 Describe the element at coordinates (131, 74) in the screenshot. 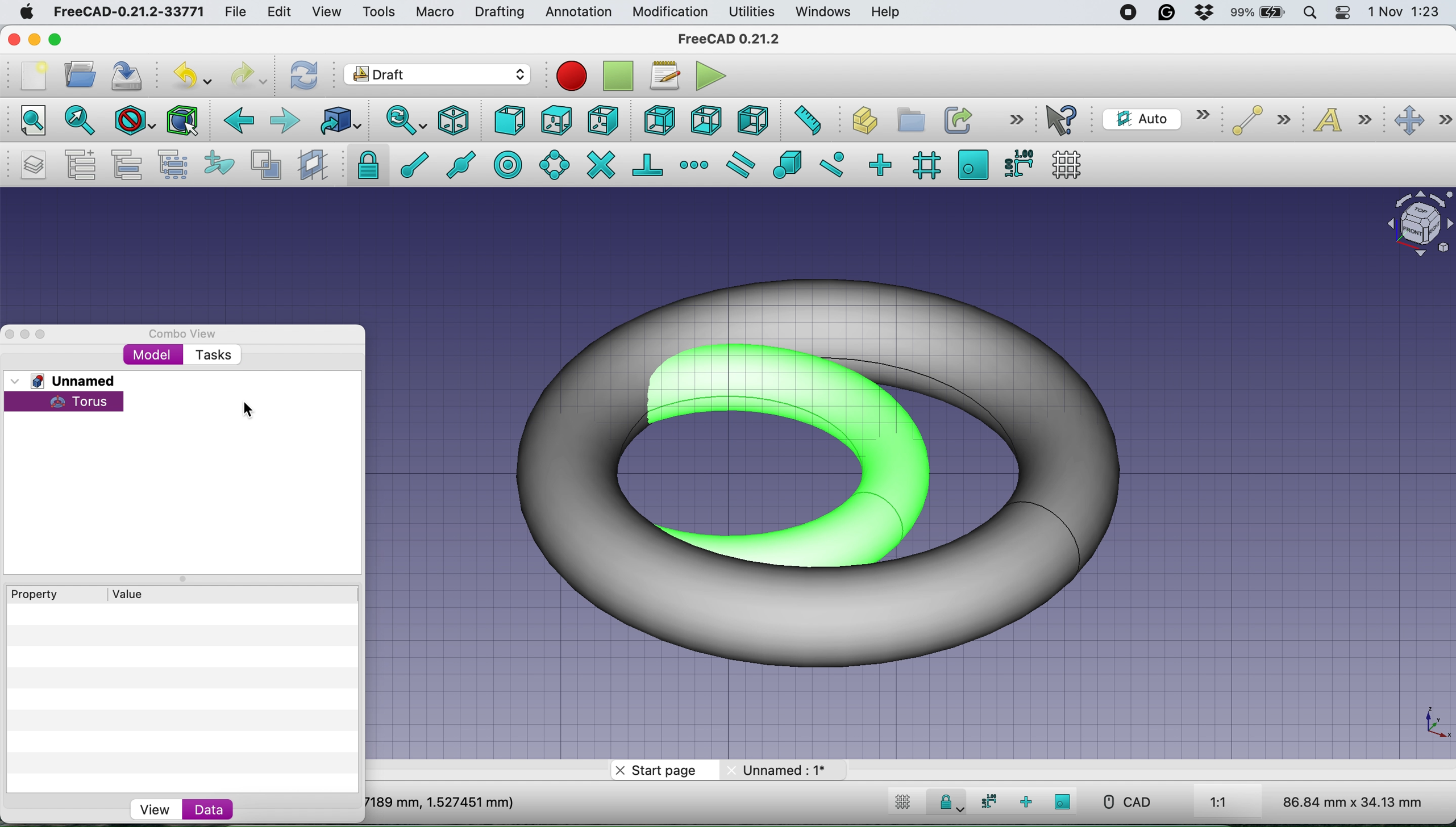

I see `save` at that location.